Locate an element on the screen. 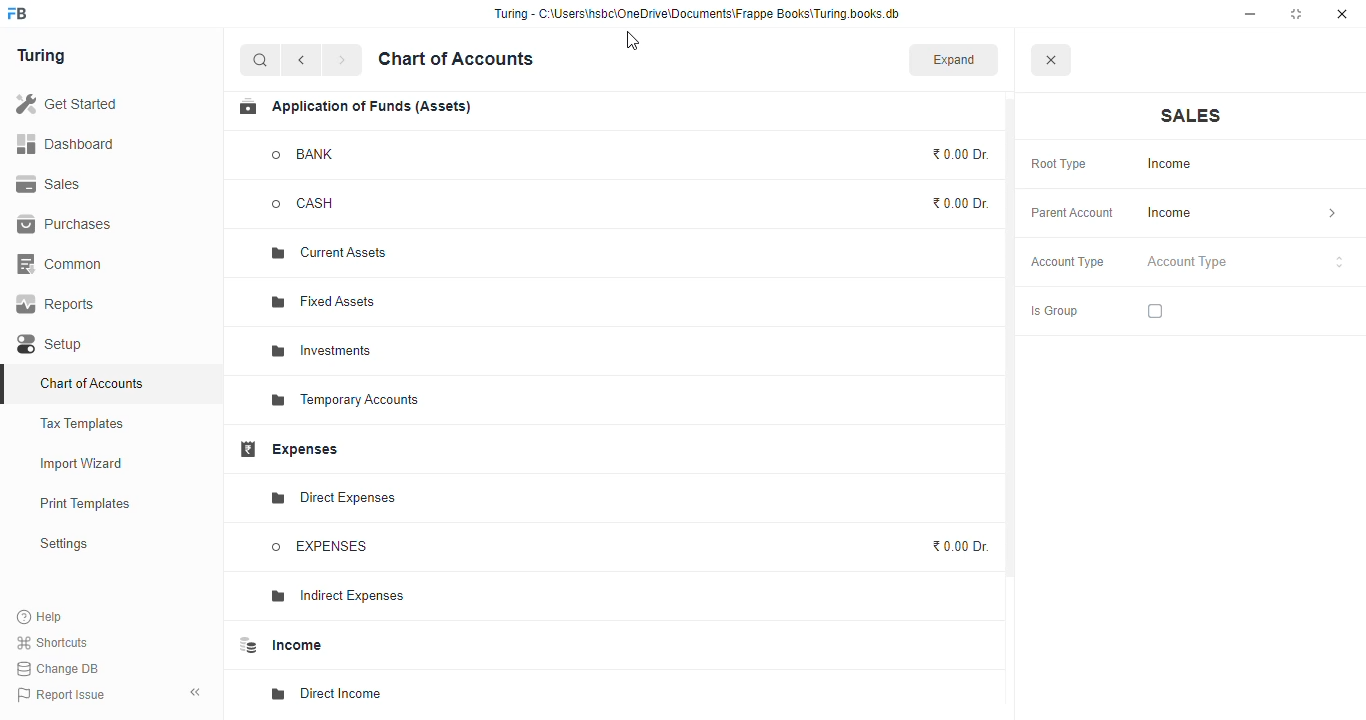 The height and width of the screenshot is (720, 1366). is group is located at coordinates (1054, 312).